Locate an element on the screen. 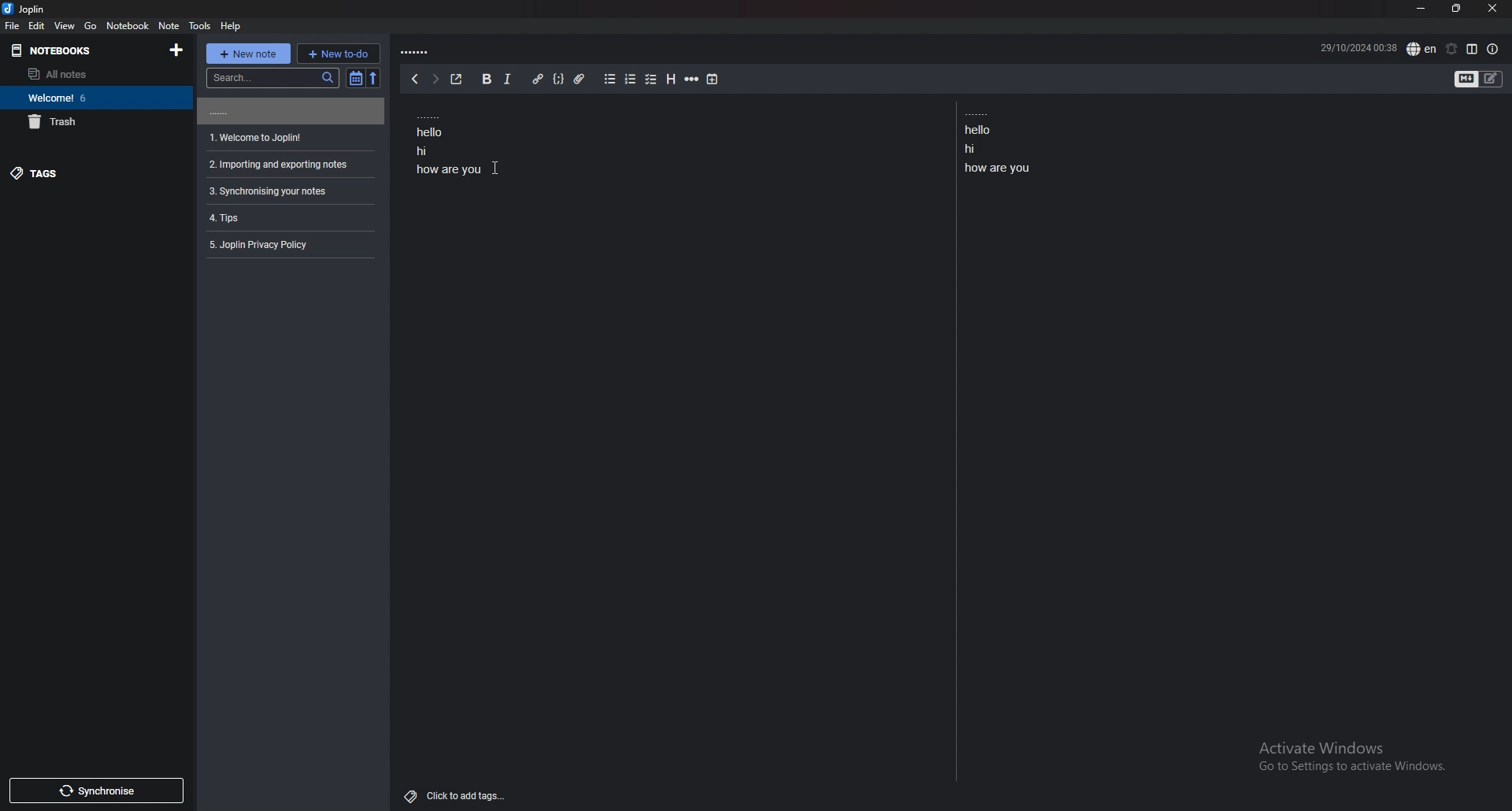 This screenshot has width=1512, height=811. note is located at coordinates (287, 245).